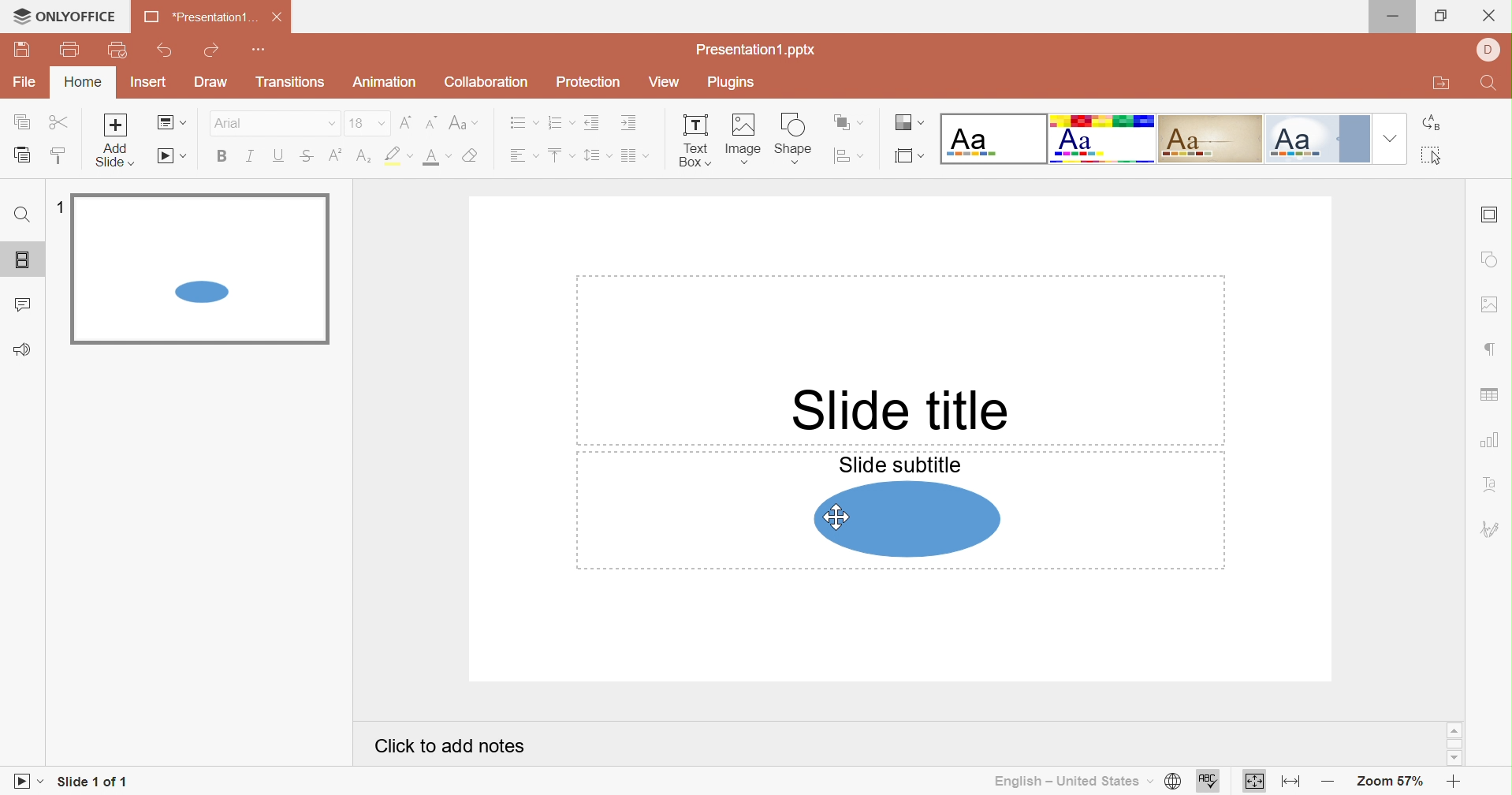 The height and width of the screenshot is (795, 1512). I want to click on Transitions, so click(291, 82).